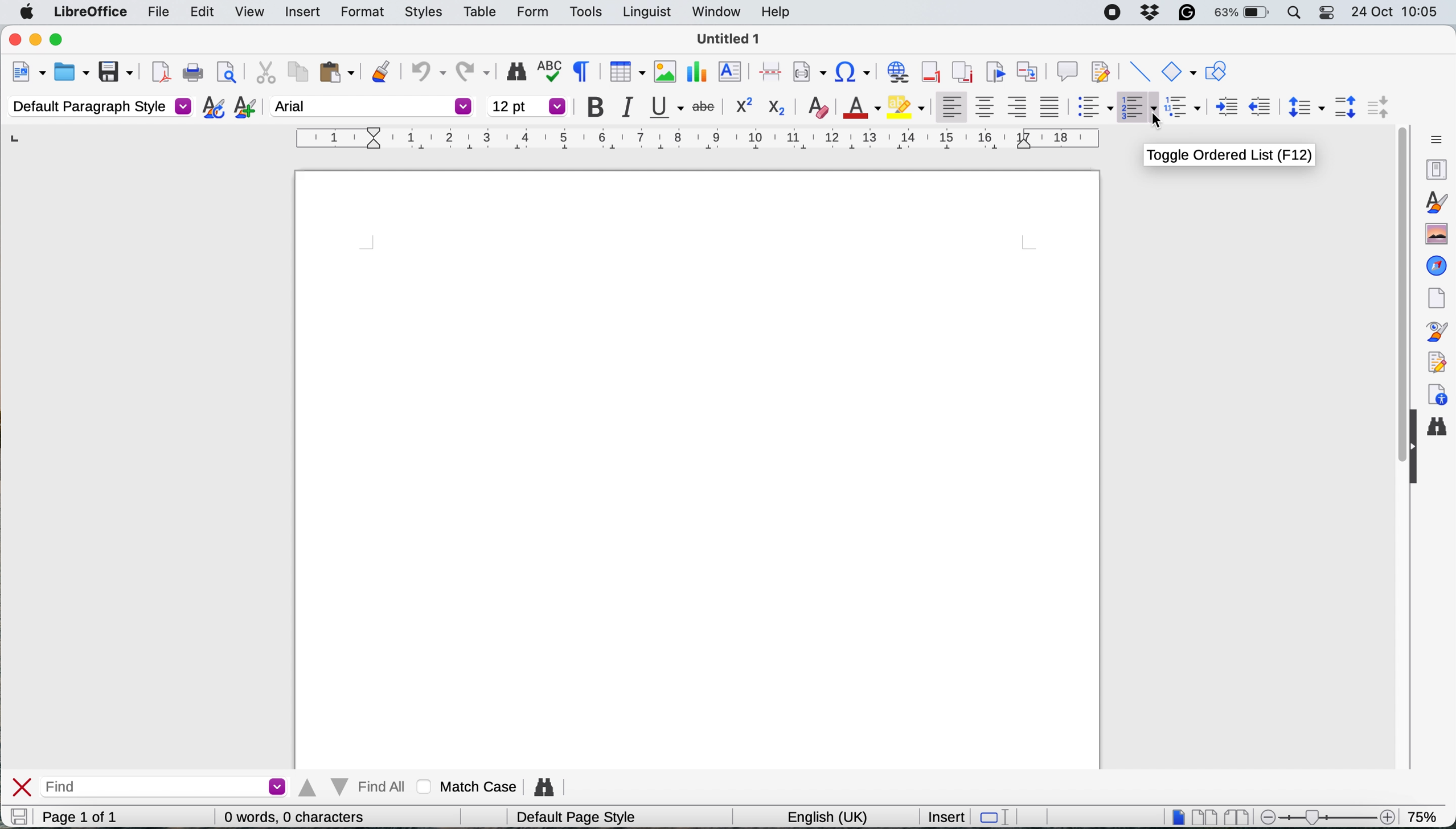  I want to click on toggle ordered list, so click(1139, 108).